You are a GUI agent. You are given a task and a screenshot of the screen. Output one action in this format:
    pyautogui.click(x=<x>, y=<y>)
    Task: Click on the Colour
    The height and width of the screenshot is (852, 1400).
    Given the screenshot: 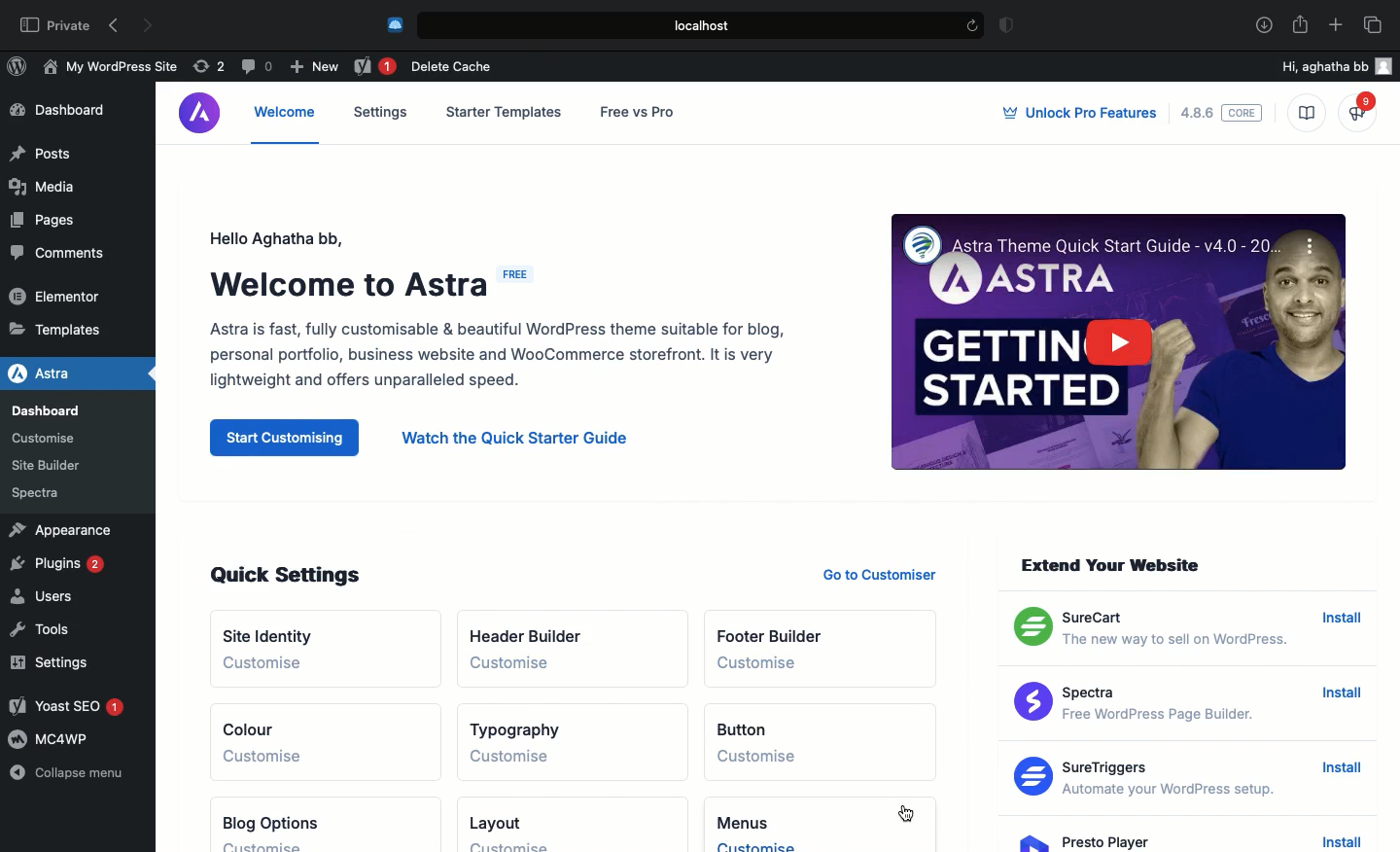 What is the action you would take?
    pyautogui.click(x=249, y=728)
    